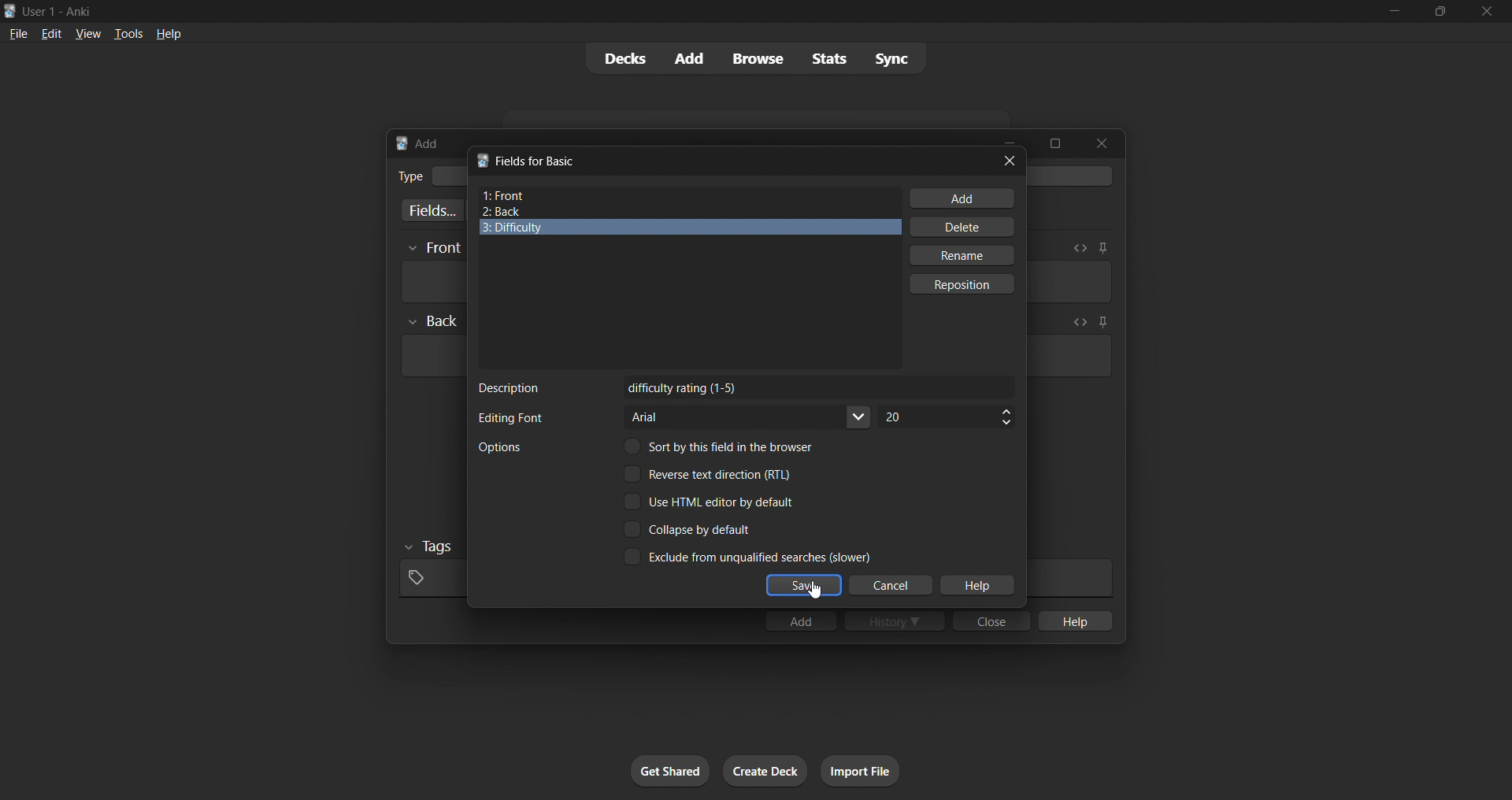  Describe the element at coordinates (1010, 161) in the screenshot. I see `close` at that location.